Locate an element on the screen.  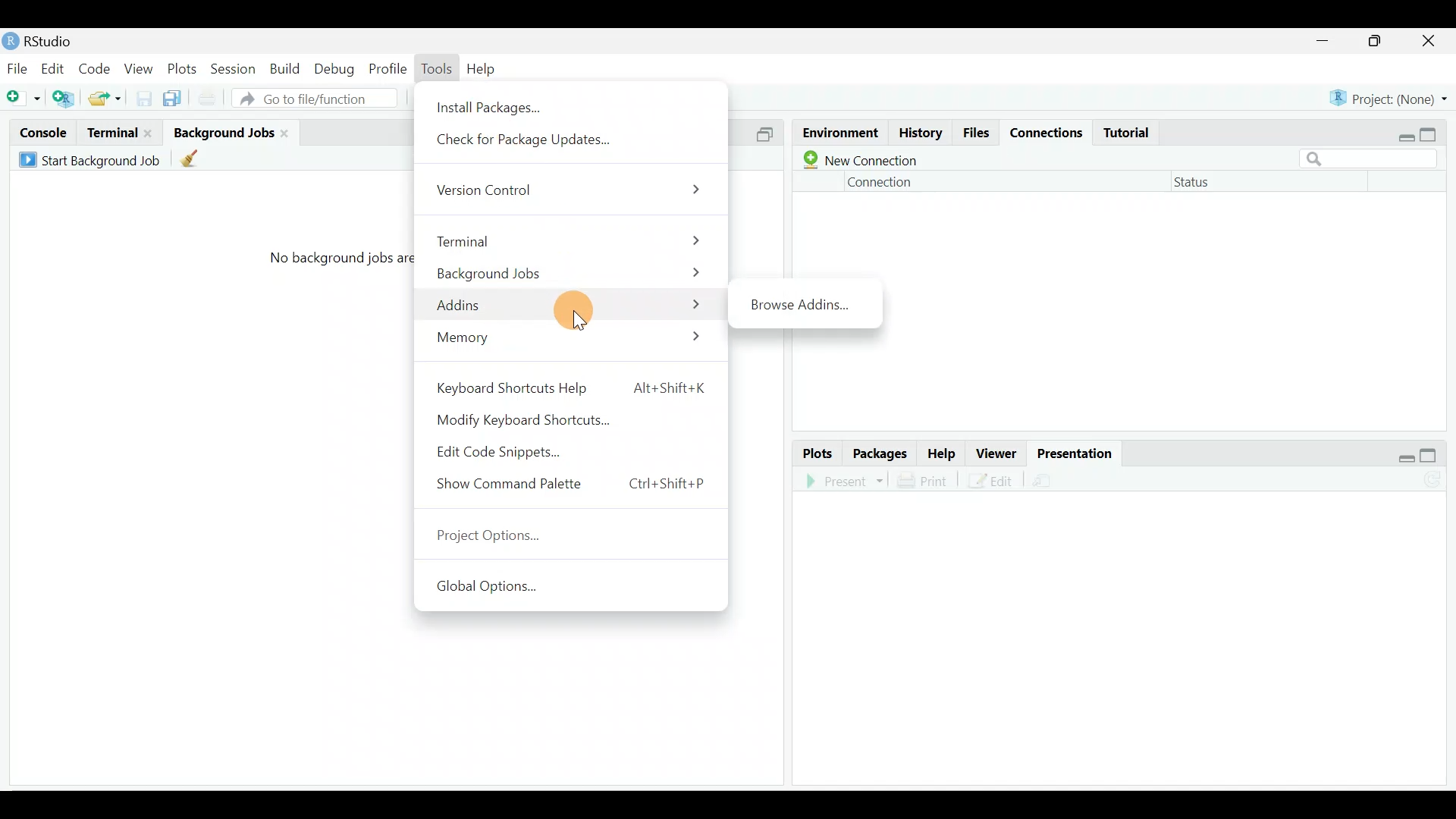
Global Options... is located at coordinates (497, 591).